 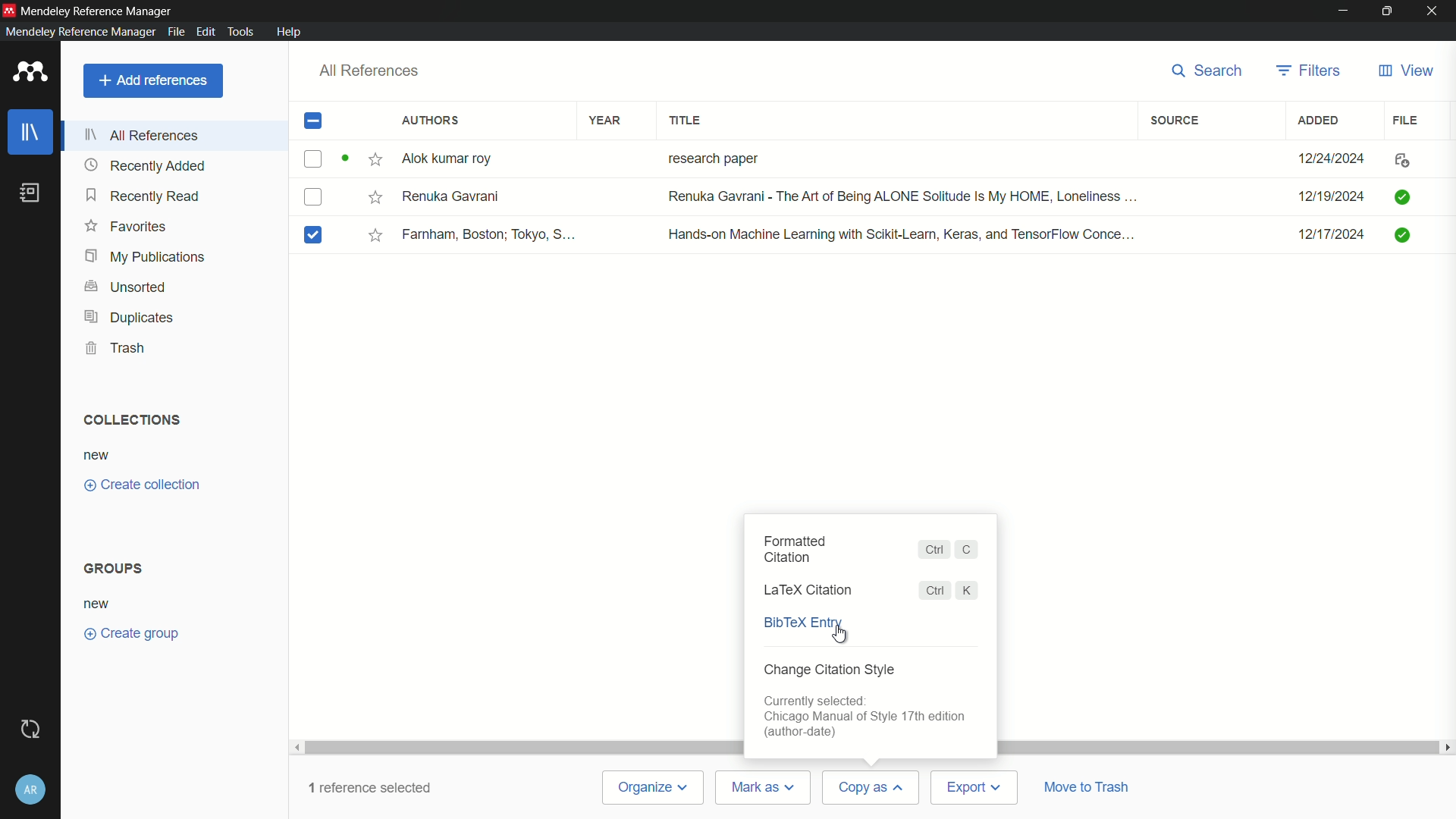 I want to click on Renuka Gavrani - The Art of Being ALONE Solitude is my HOME, Loneliness..., so click(x=900, y=196).